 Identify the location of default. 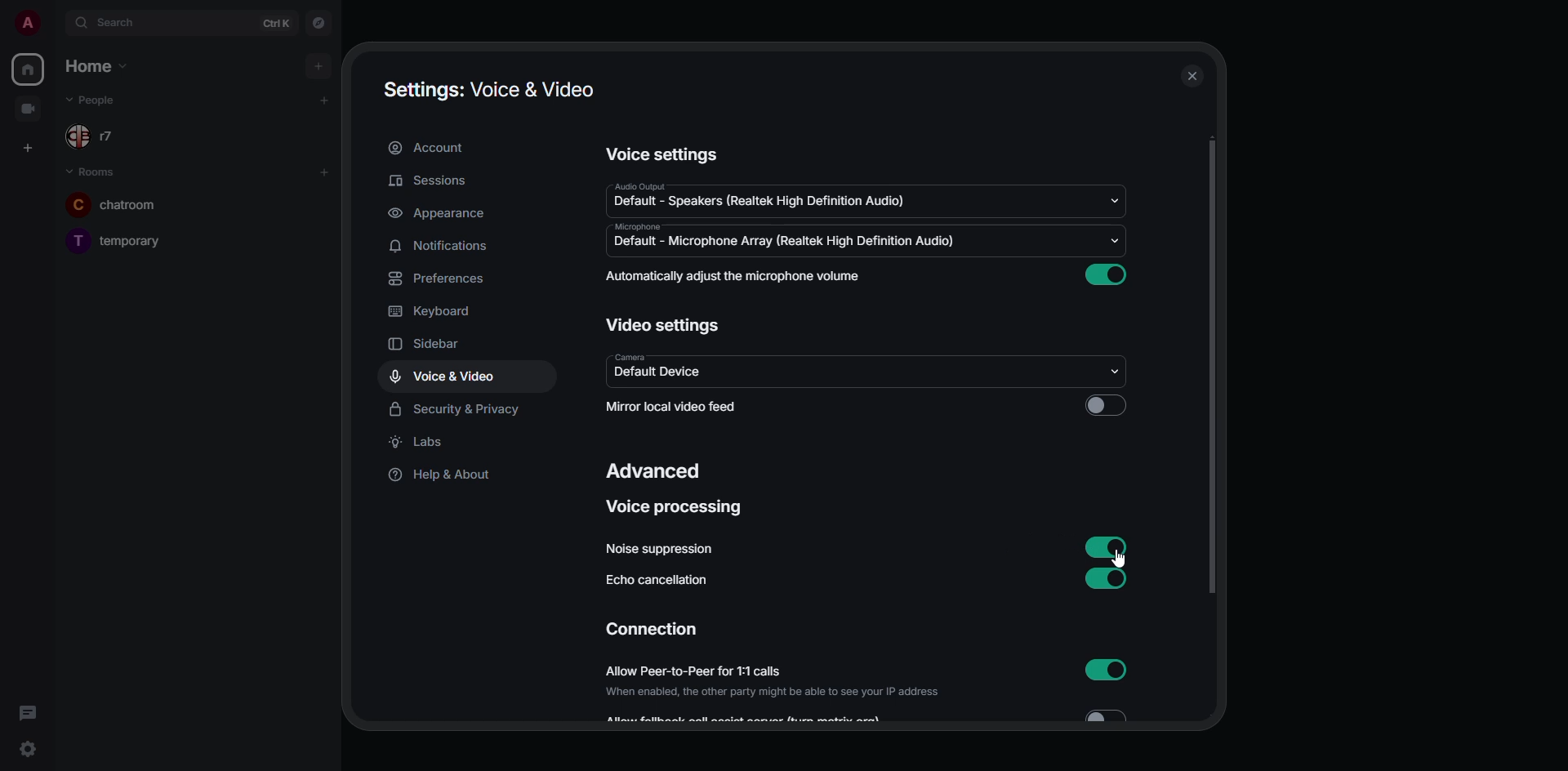
(759, 199).